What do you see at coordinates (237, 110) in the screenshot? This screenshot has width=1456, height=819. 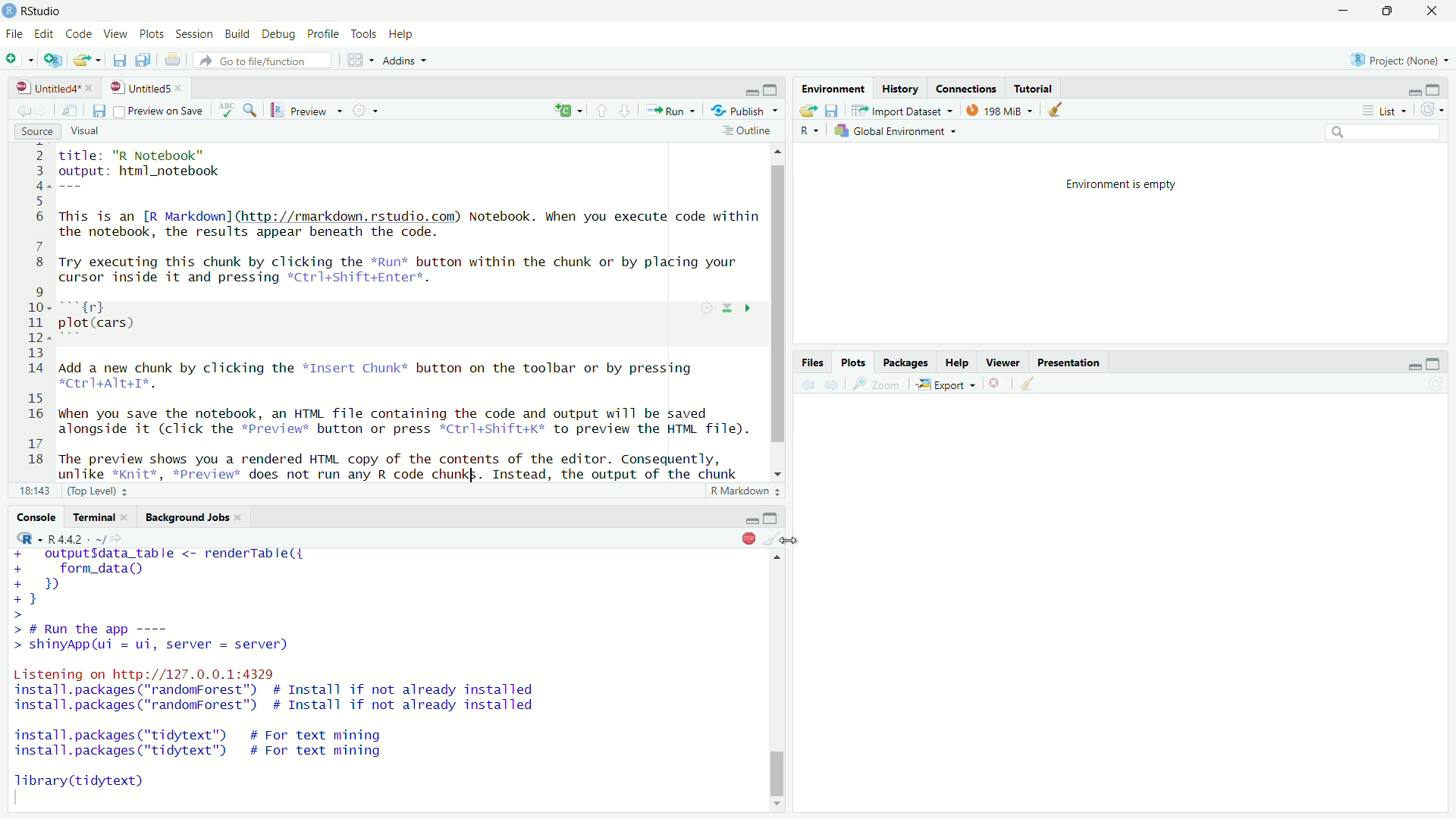 I see `ABC` at bounding box center [237, 110].